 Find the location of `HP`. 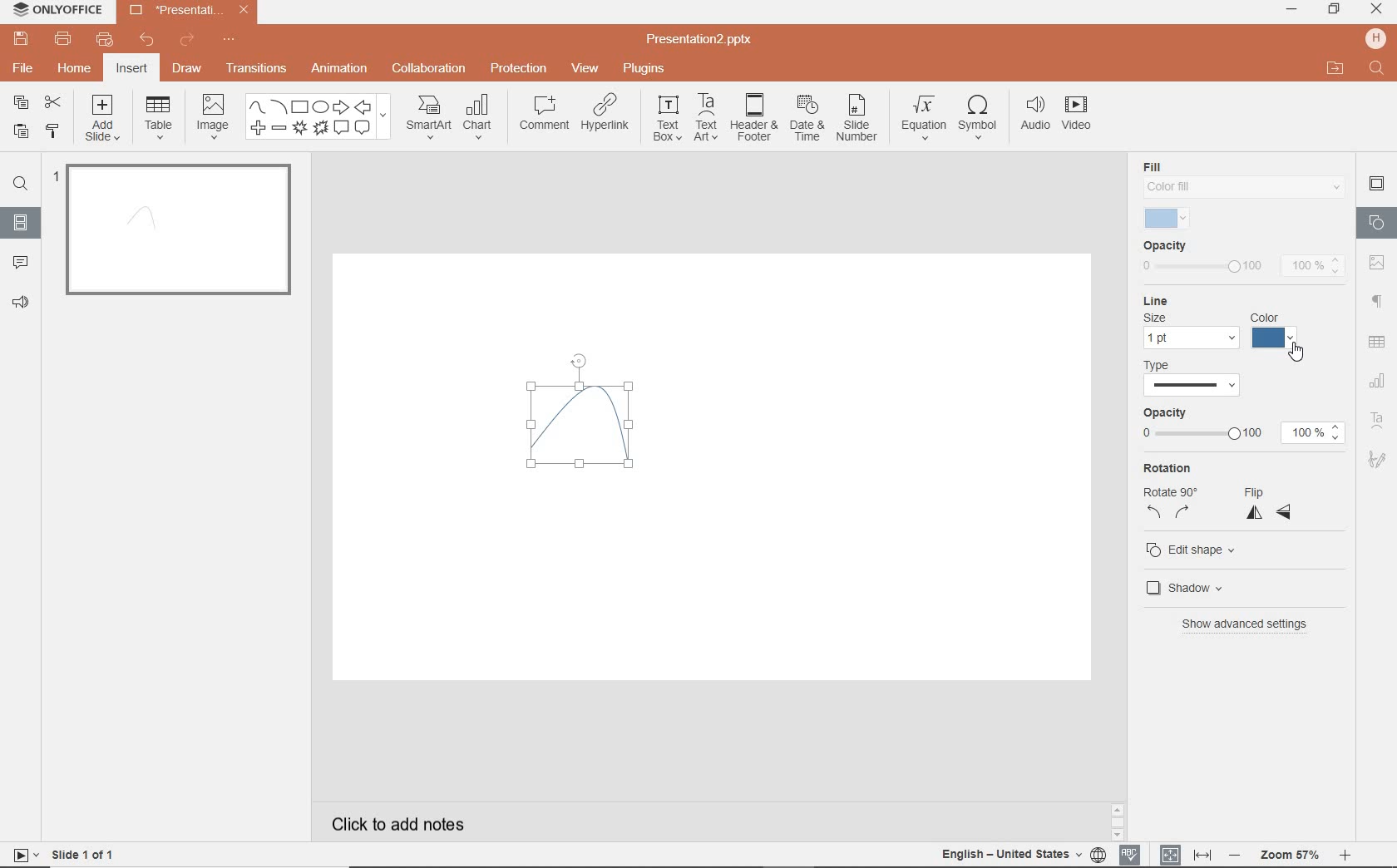

HP is located at coordinates (1374, 37).